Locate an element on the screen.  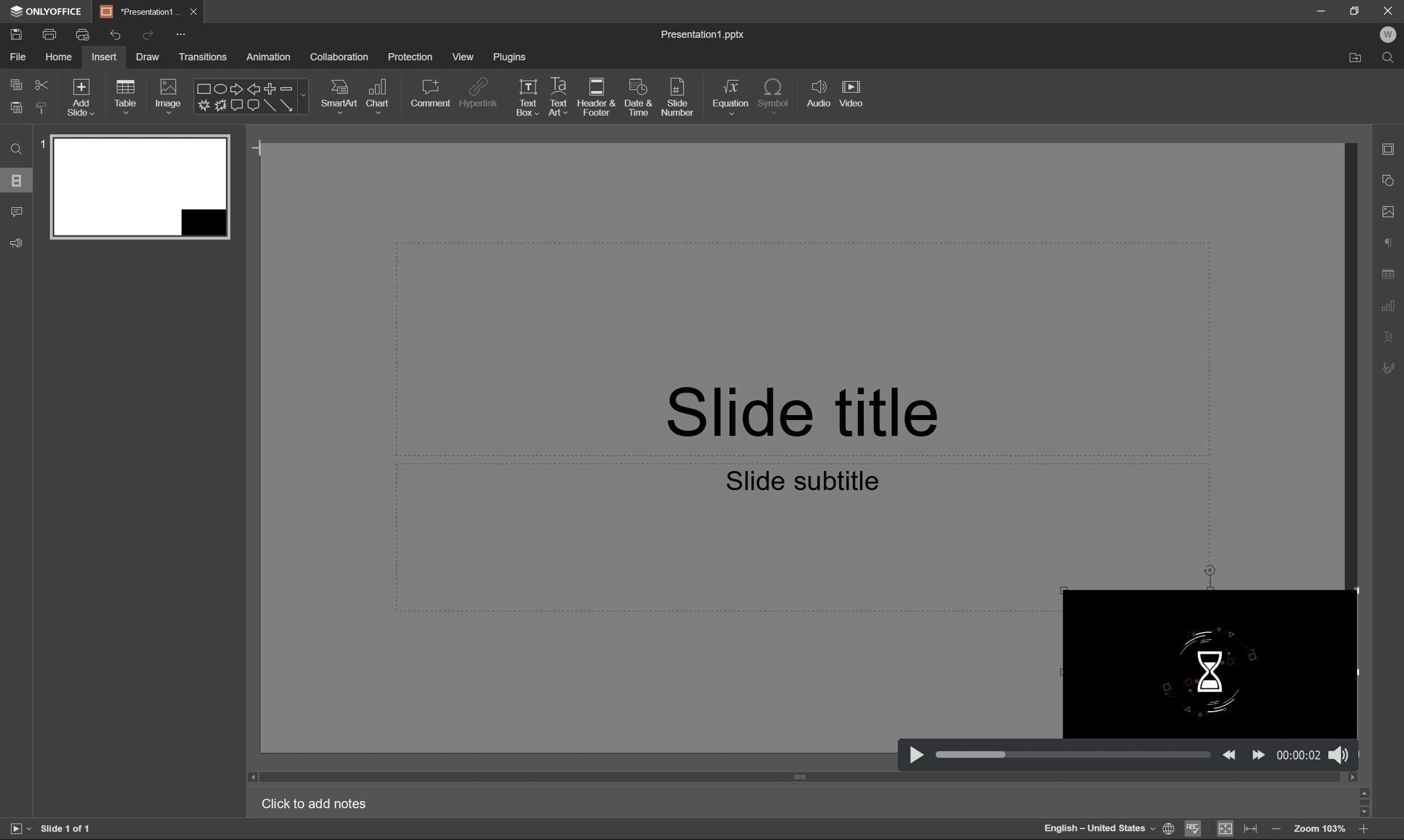
close is located at coordinates (196, 11).